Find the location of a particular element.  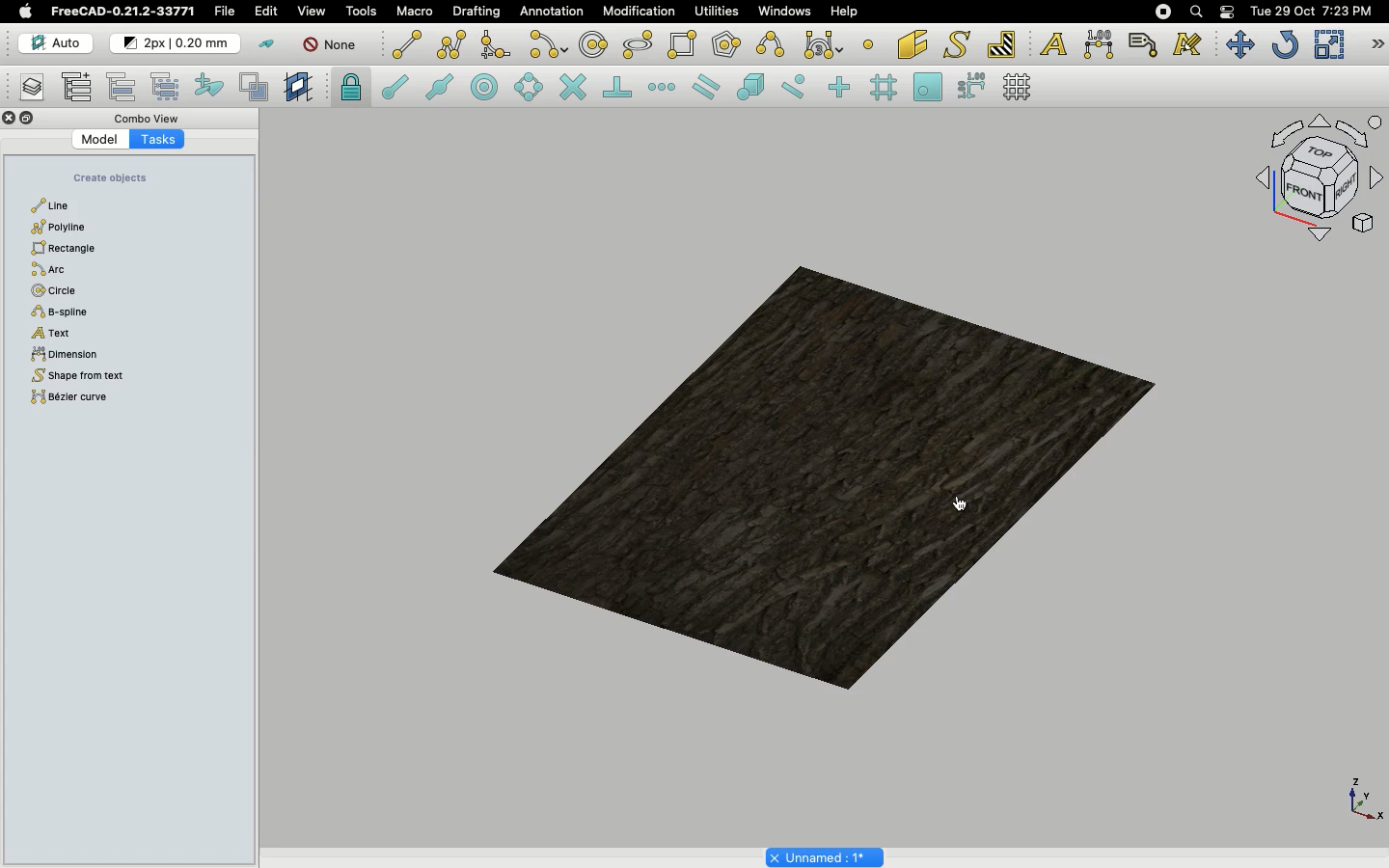

Polyline is located at coordinates (451, 44).